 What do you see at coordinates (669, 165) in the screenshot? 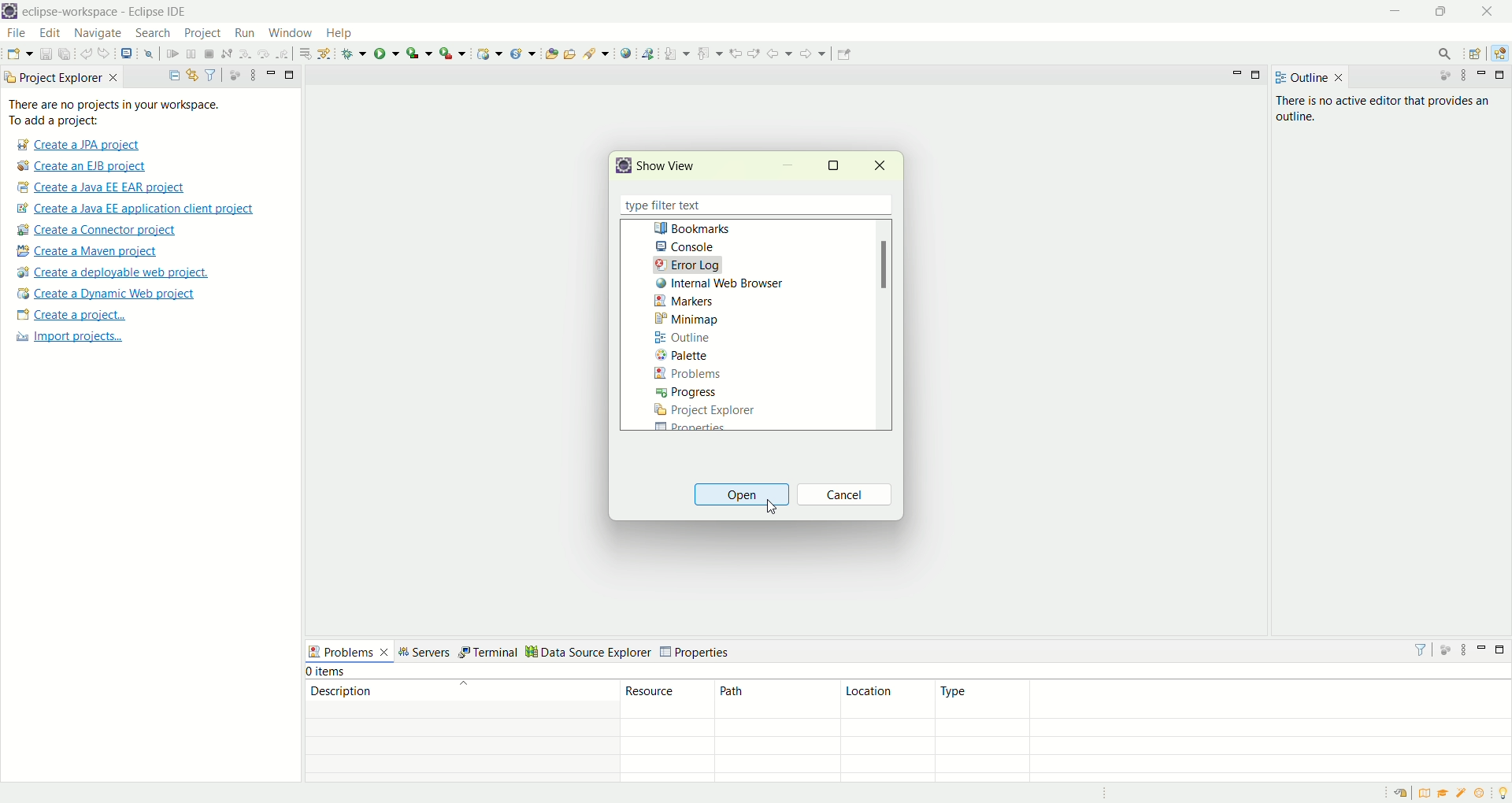
I see `show view` at bounding box center [669, 165].